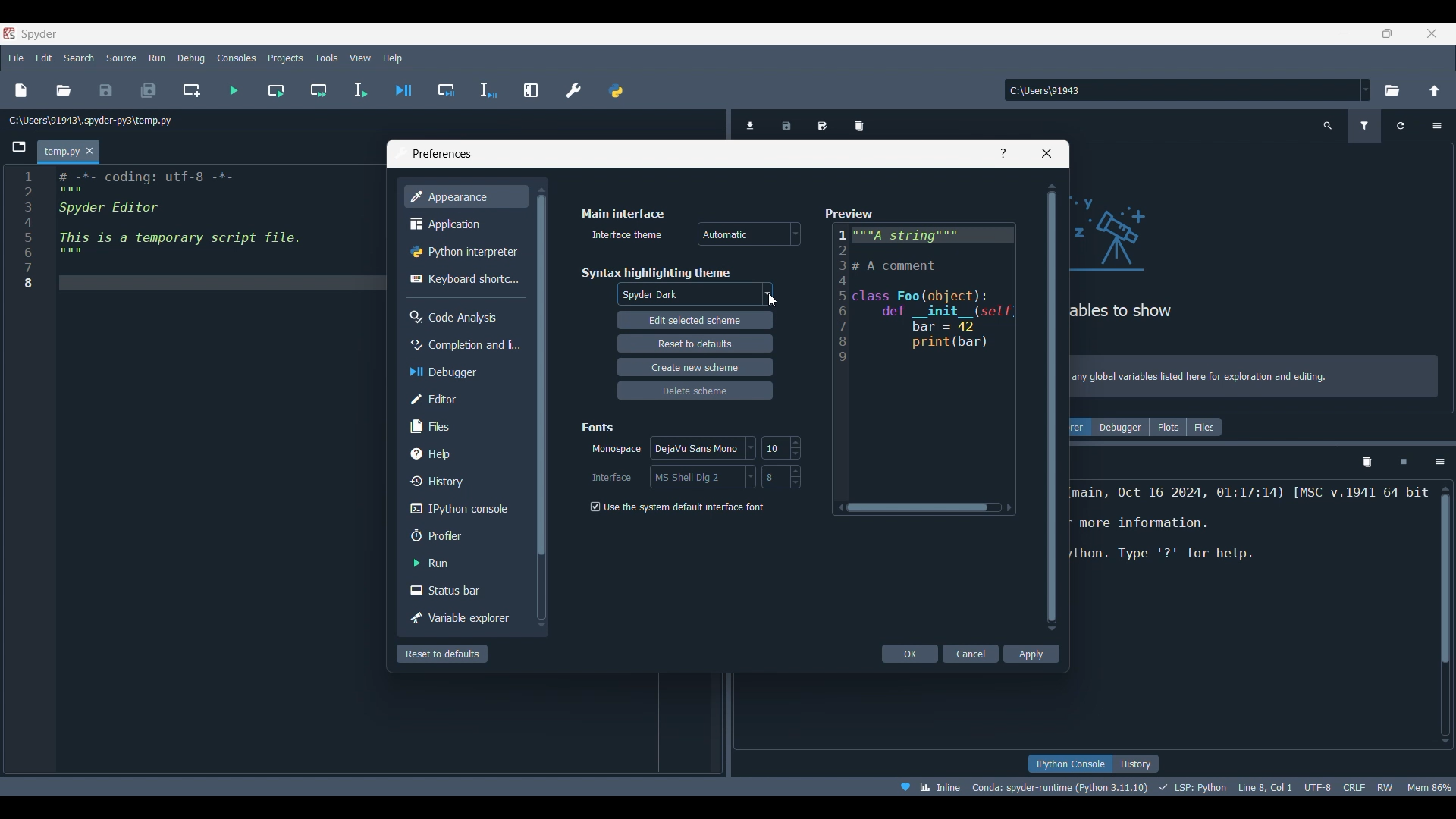 This screenshot has height=819, width=1456. Describe the element at coordinates (463, 619) in the screenshot. I see `Variable explorer` at that location.